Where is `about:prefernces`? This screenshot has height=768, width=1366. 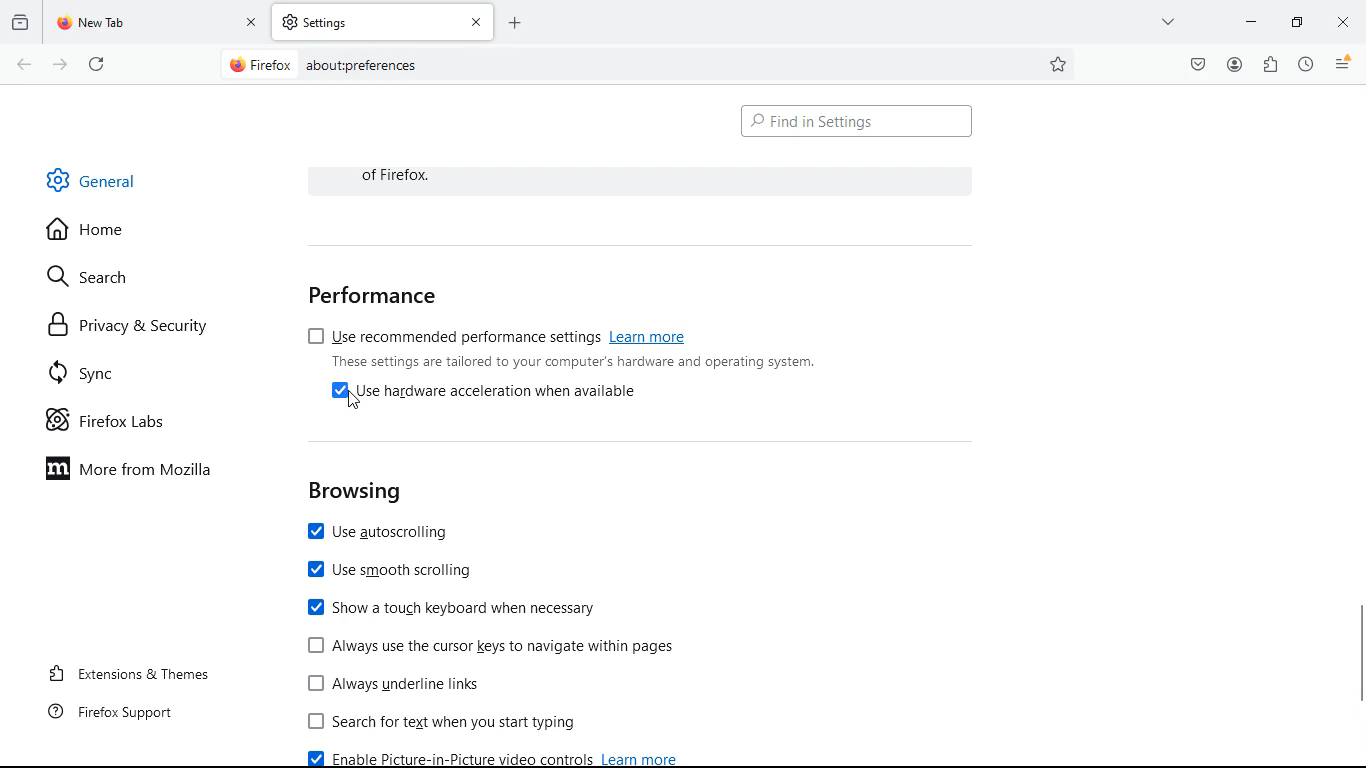 about:prefernces is located at coordinates (361, 65).